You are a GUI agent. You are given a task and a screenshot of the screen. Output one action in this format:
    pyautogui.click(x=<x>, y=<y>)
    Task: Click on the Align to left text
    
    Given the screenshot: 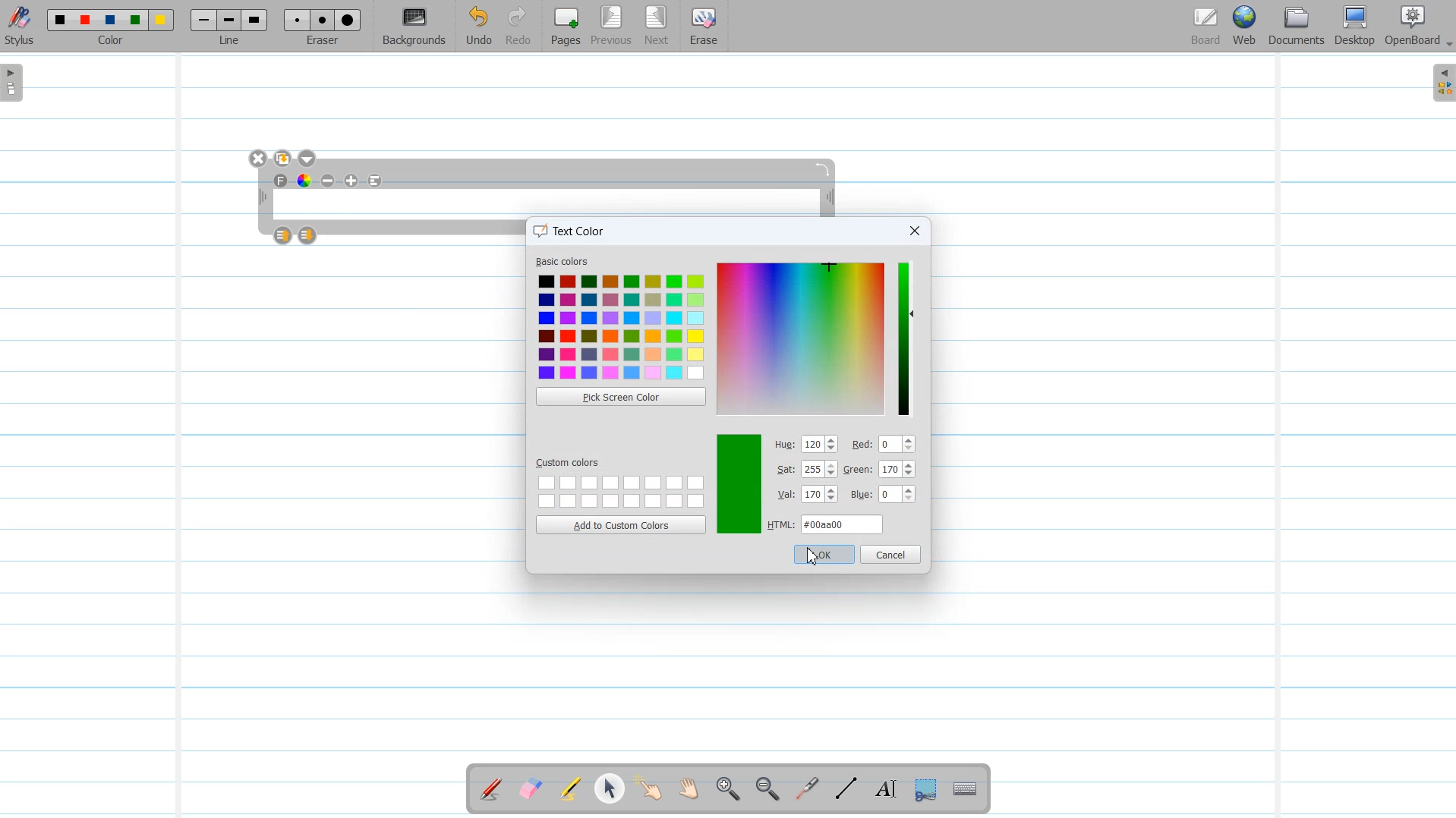 What is the action you would take?
    pyautogui.click(x=376, y=181)
    